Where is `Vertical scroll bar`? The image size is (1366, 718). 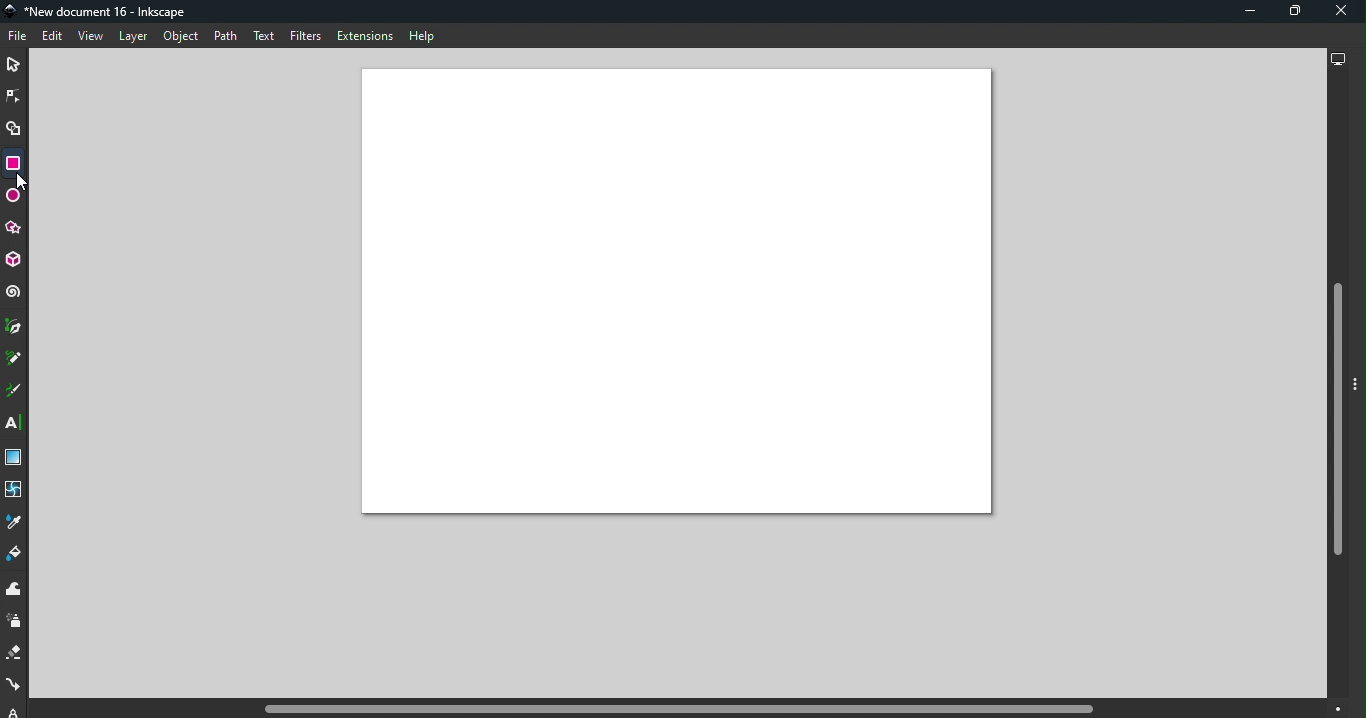 Vertical scroll bar is located at coordinates (1336, 387).